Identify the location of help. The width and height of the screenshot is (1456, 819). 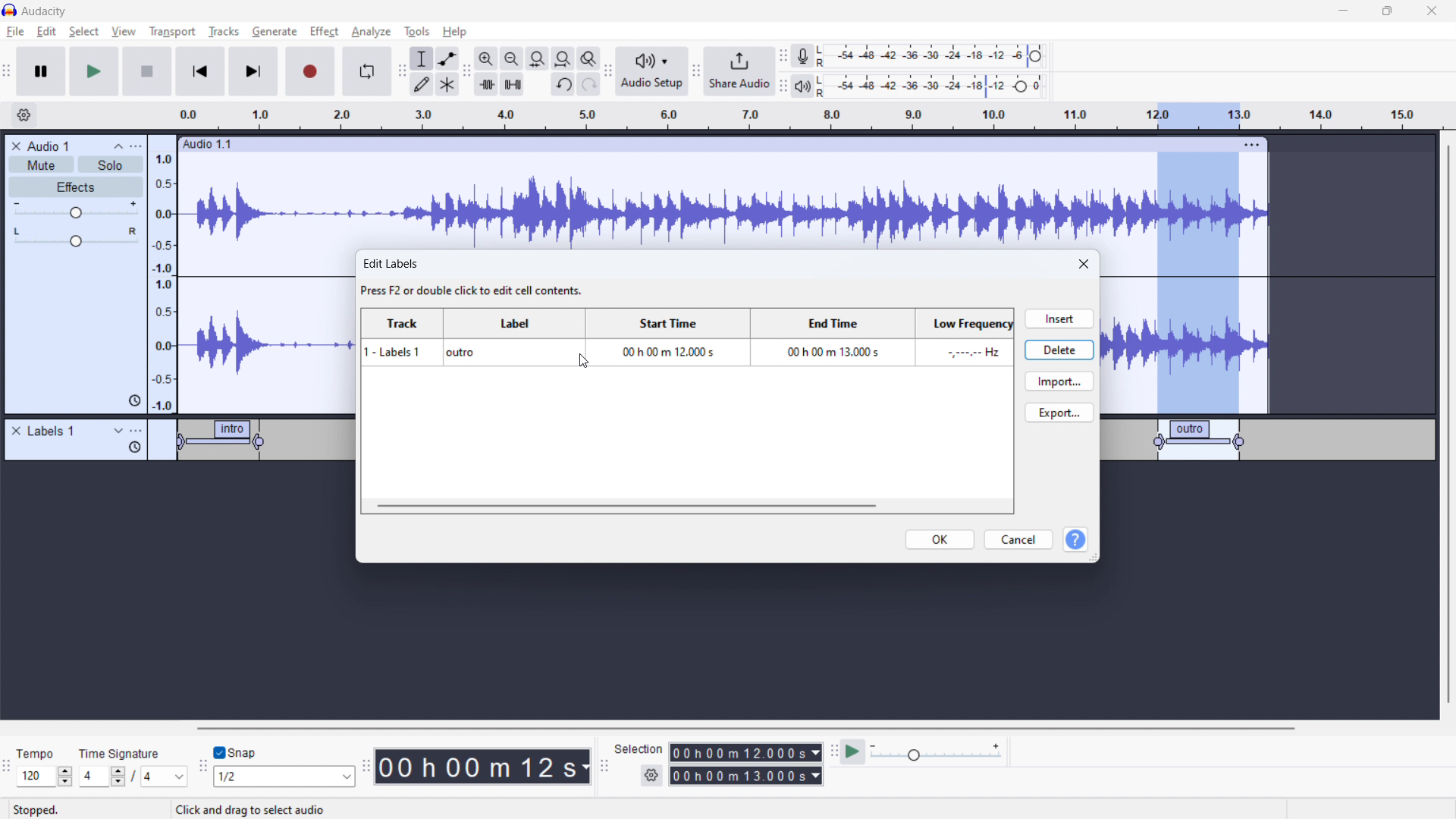
(1075, 541).